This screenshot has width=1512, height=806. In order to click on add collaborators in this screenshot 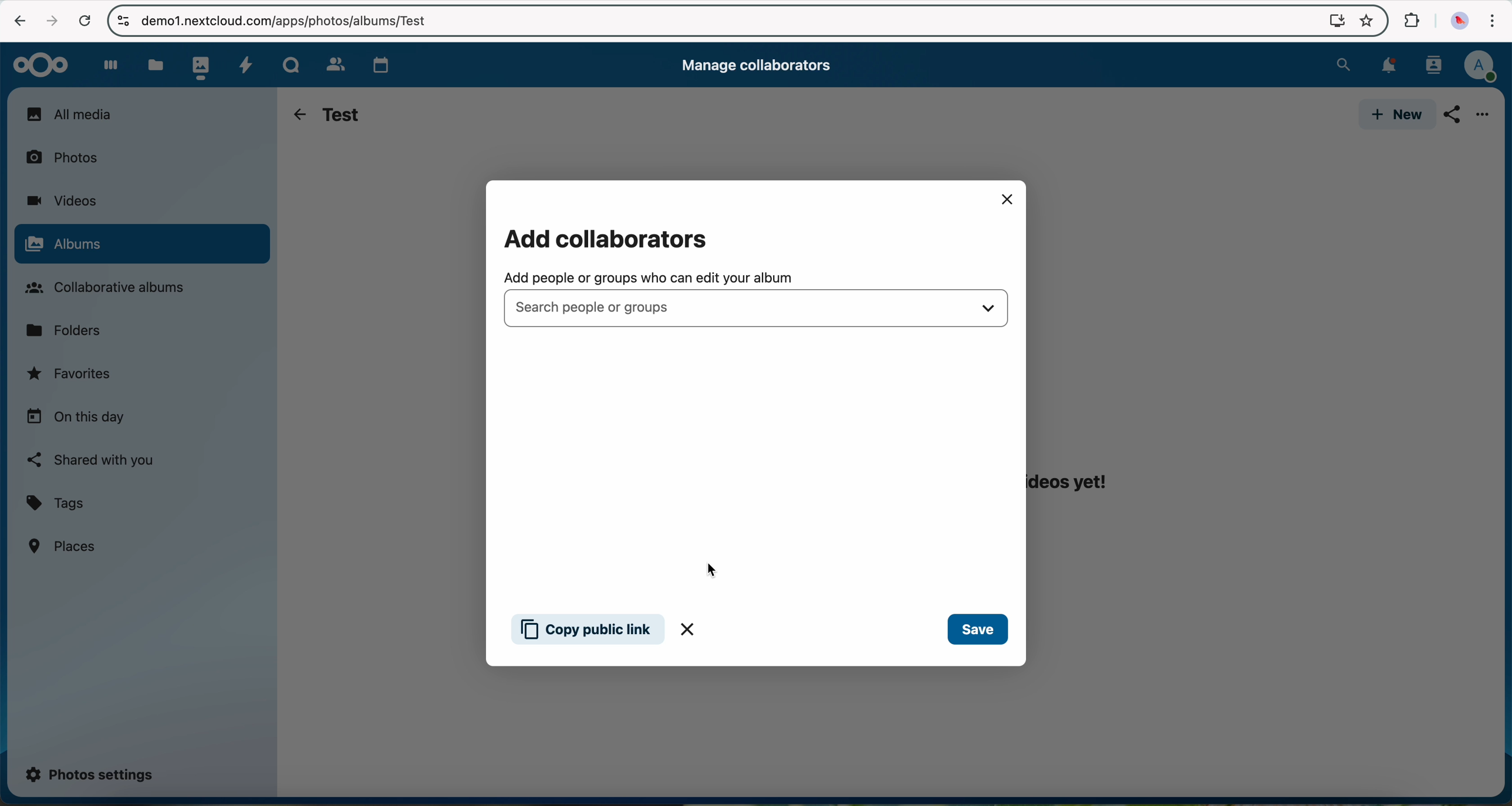, I will do `click(613, 238)`.